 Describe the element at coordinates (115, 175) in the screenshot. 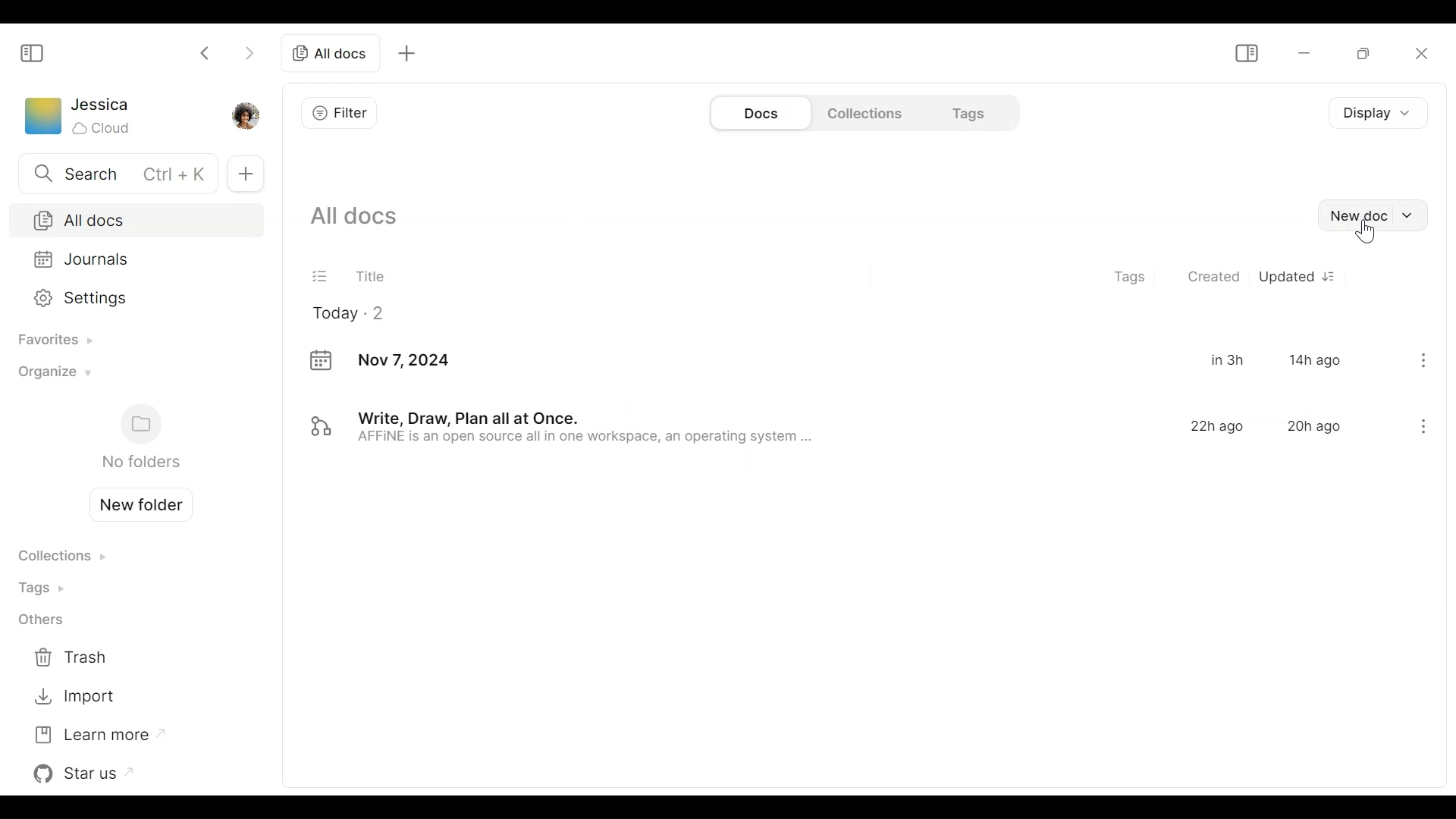

I see `Search` at that location.